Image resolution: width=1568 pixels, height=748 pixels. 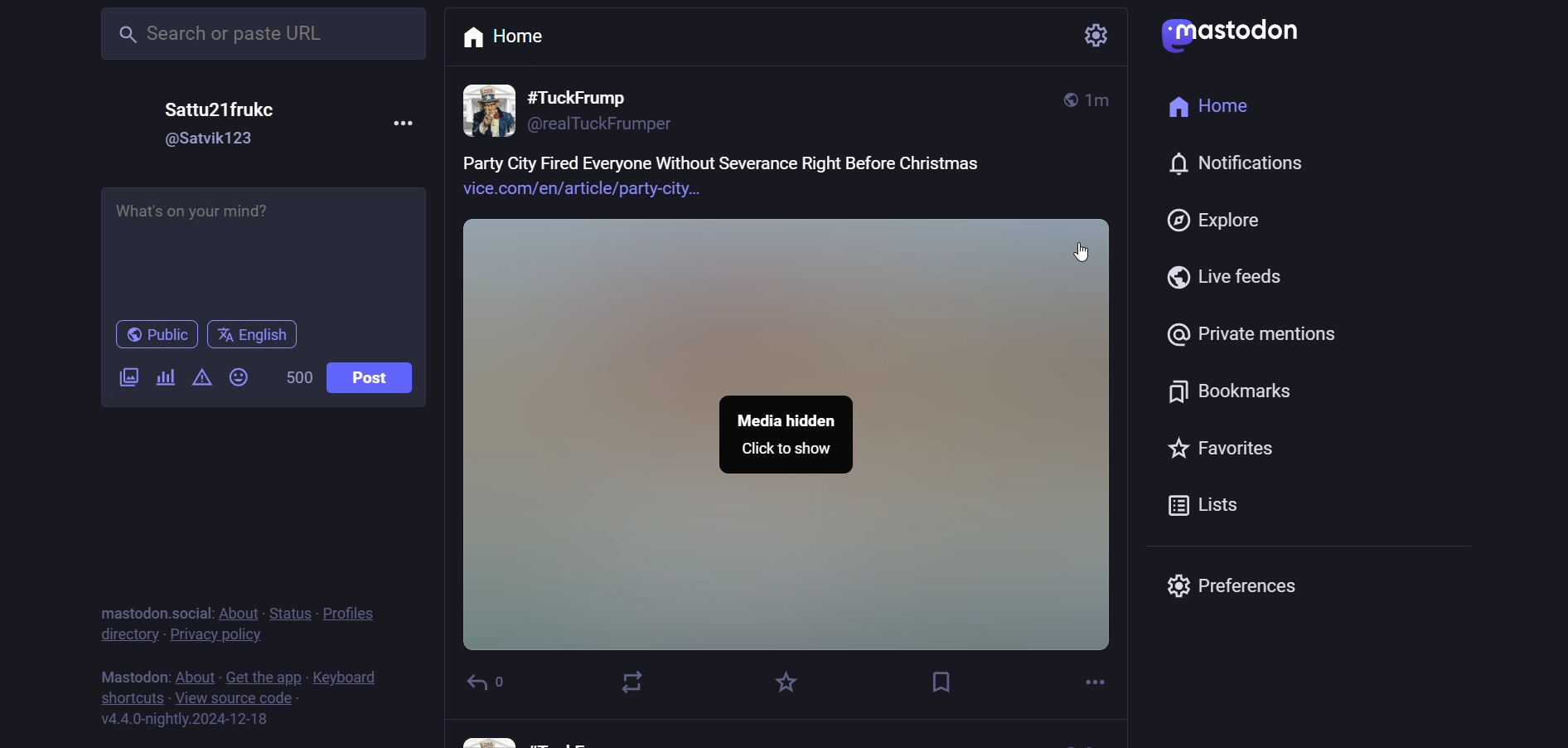 I want to click on View source code, so click(x=235, y=698).